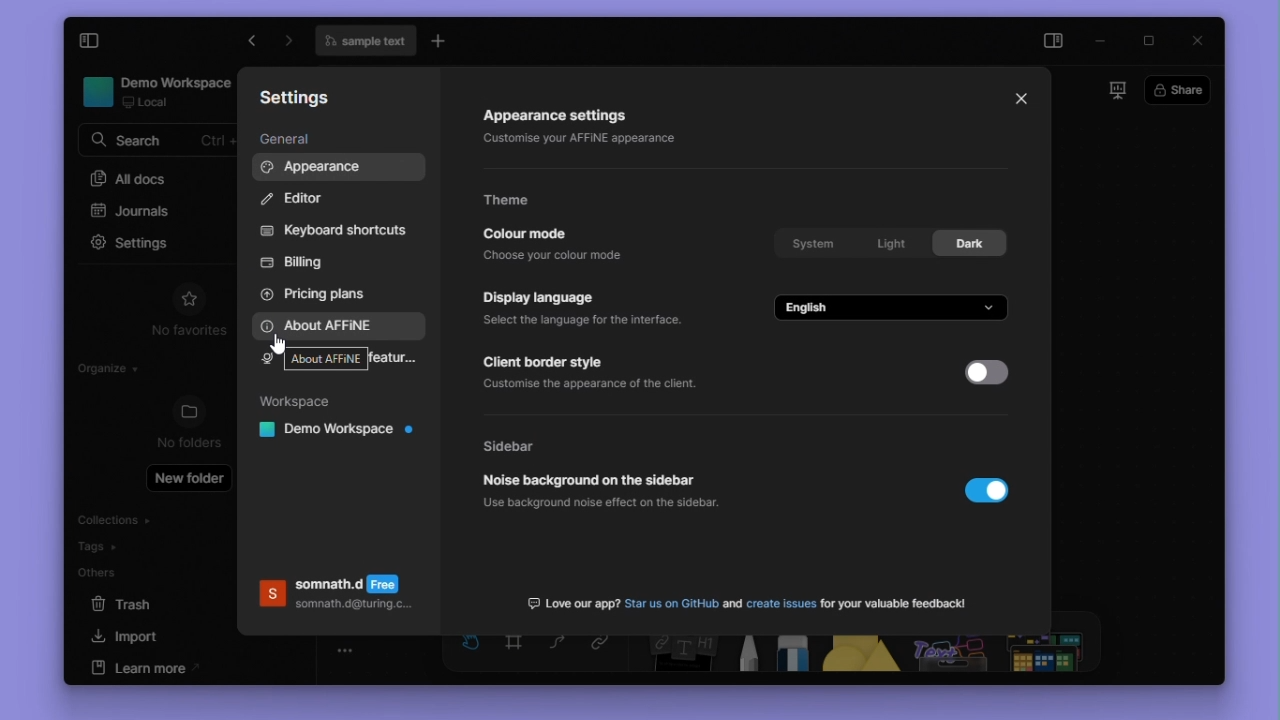 Image resolution: width=1280 pixels, height=720 pixels. What do you see at coordinates (592, 130) in the screenshot?
I see `Appearance settings` at bounding box center [592, 130].